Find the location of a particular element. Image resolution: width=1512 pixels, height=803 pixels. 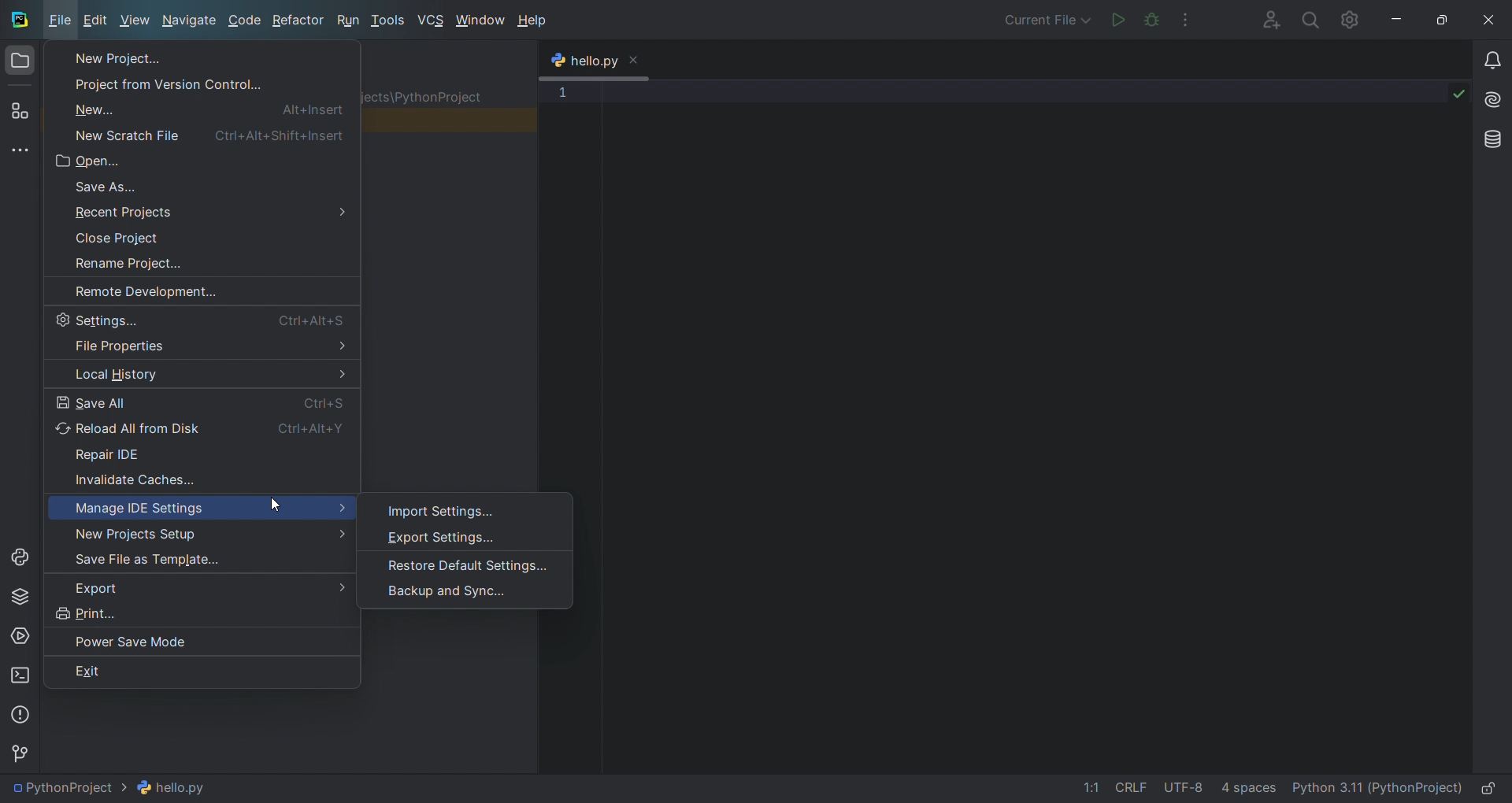

python console is located at coordinates (18, 559).